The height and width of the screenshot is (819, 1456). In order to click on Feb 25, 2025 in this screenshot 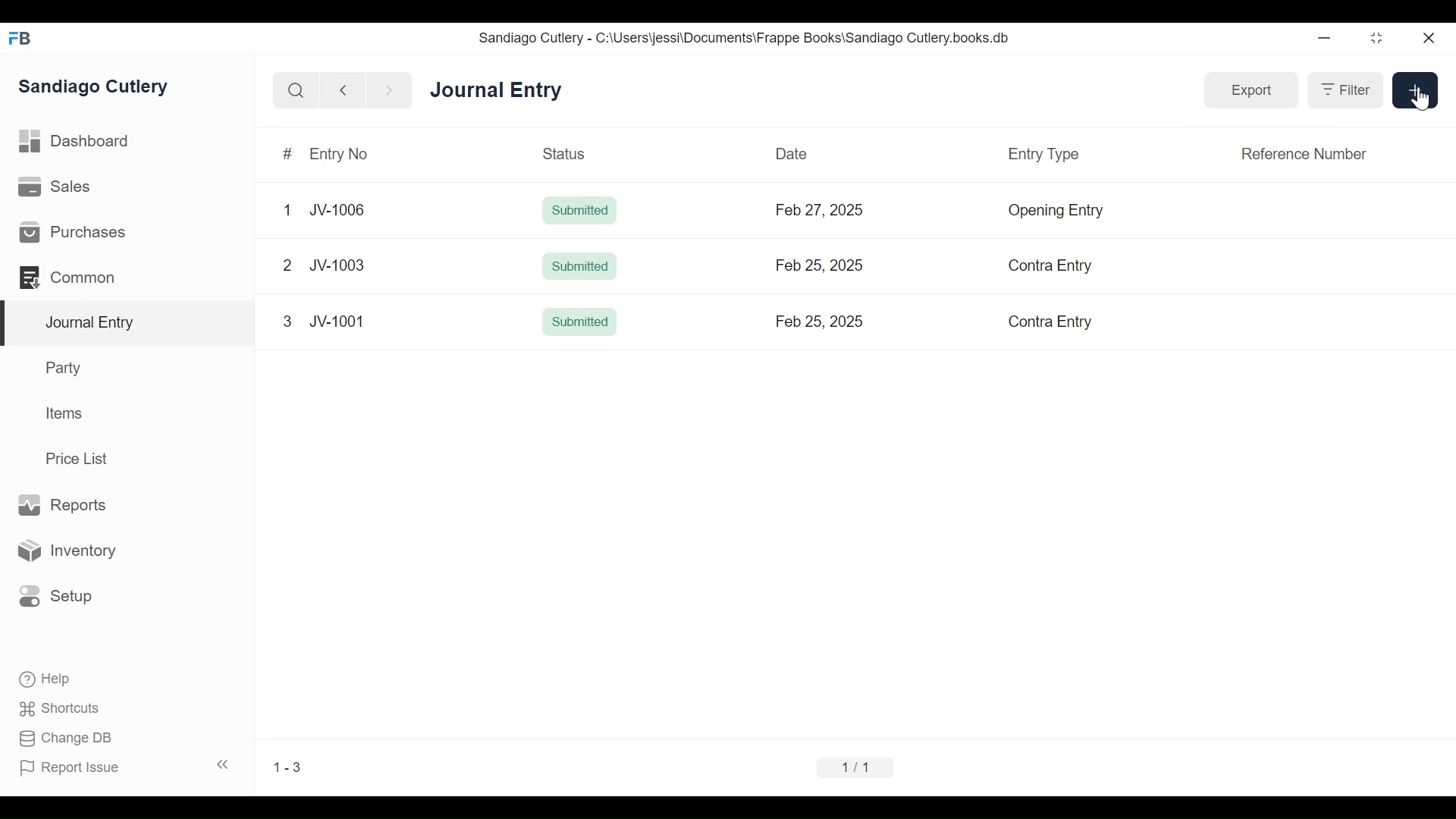, I will do `click(814, 322)`.